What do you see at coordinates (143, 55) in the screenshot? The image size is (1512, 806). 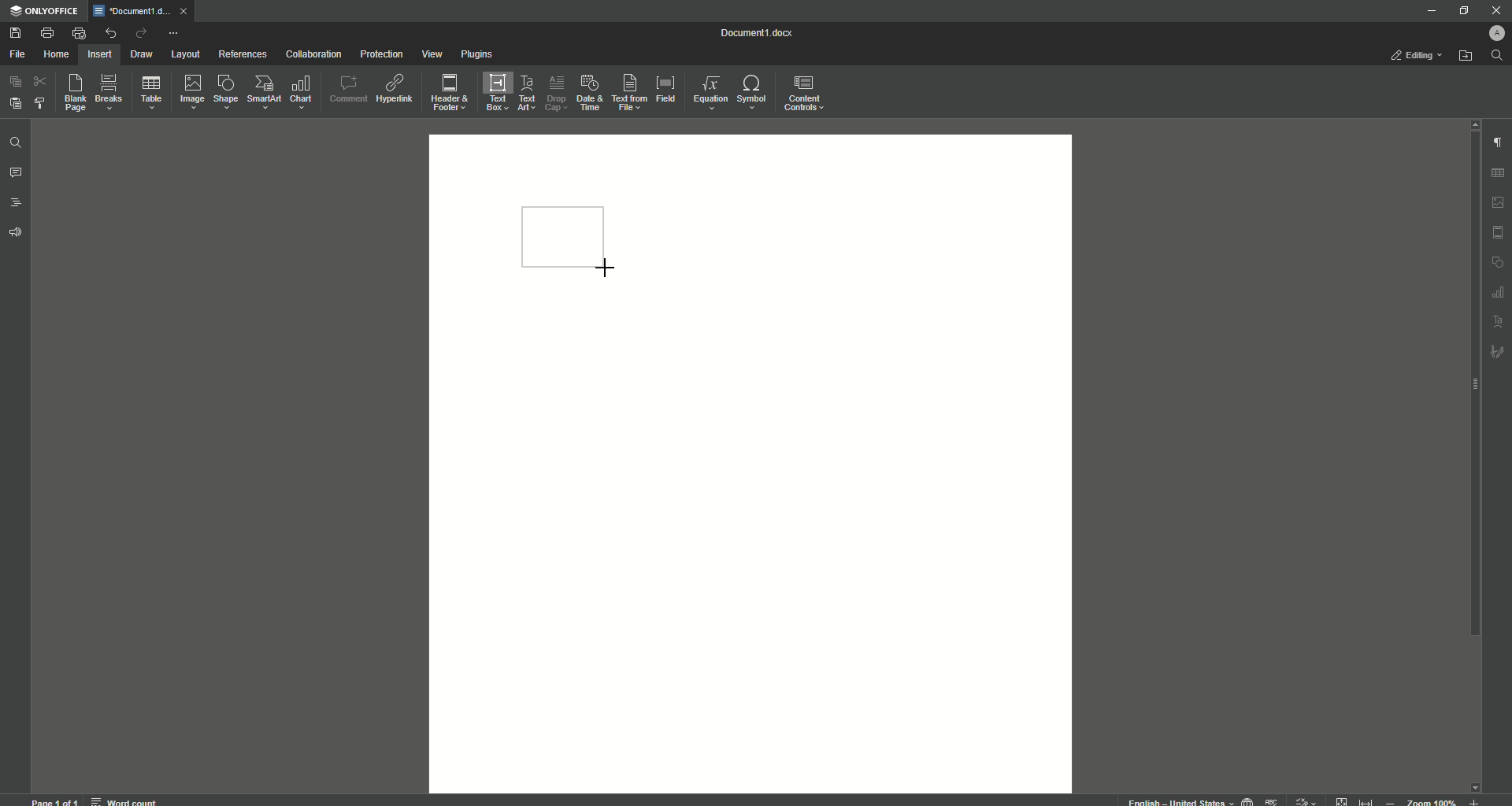 I see `Draw` at bounding box center [143, 55].